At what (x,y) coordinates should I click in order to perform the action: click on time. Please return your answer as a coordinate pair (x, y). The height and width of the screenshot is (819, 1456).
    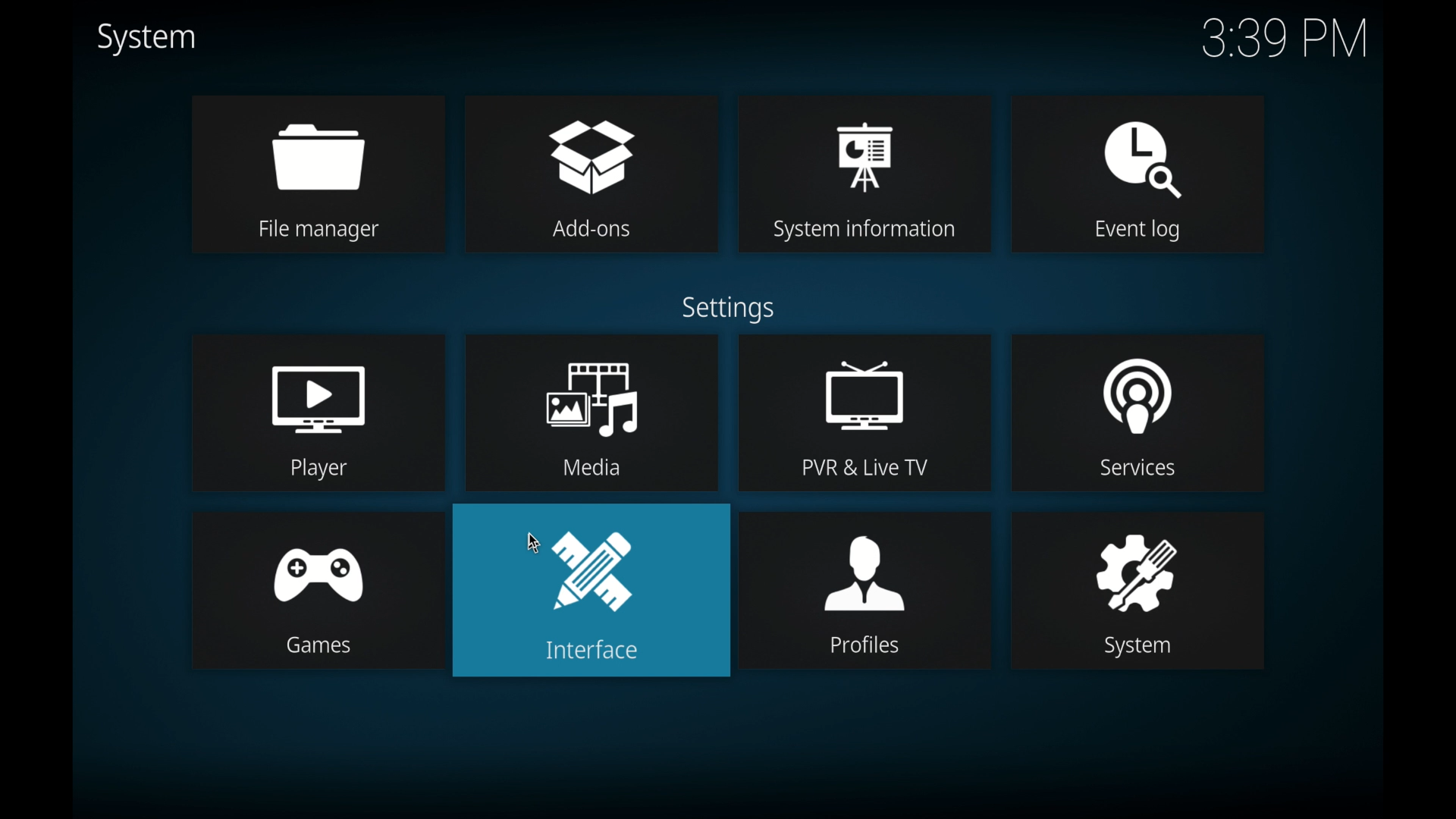
    Looking at the image, I should click on (1285, 38).